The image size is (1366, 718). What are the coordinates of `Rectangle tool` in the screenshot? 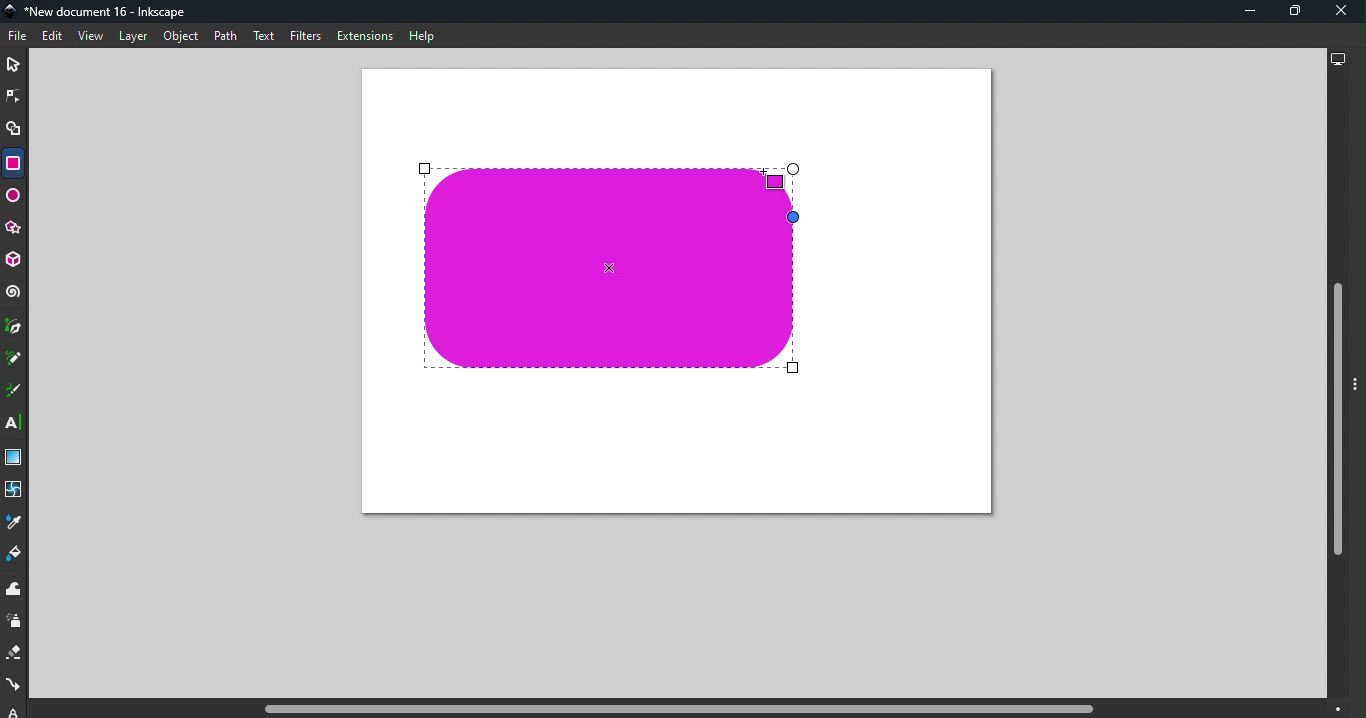 It's located at (12, 163).